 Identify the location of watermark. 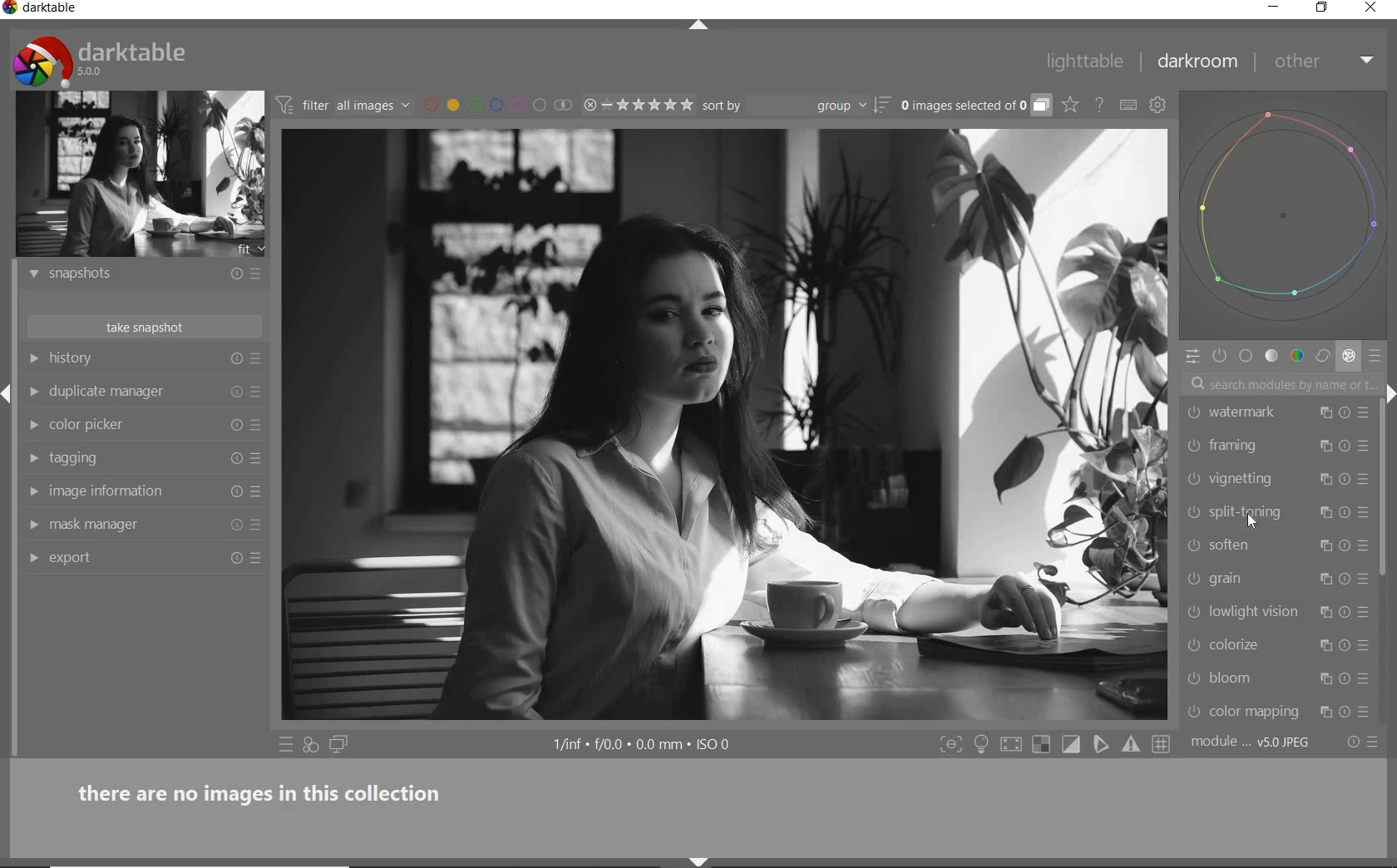
(1260, 412).